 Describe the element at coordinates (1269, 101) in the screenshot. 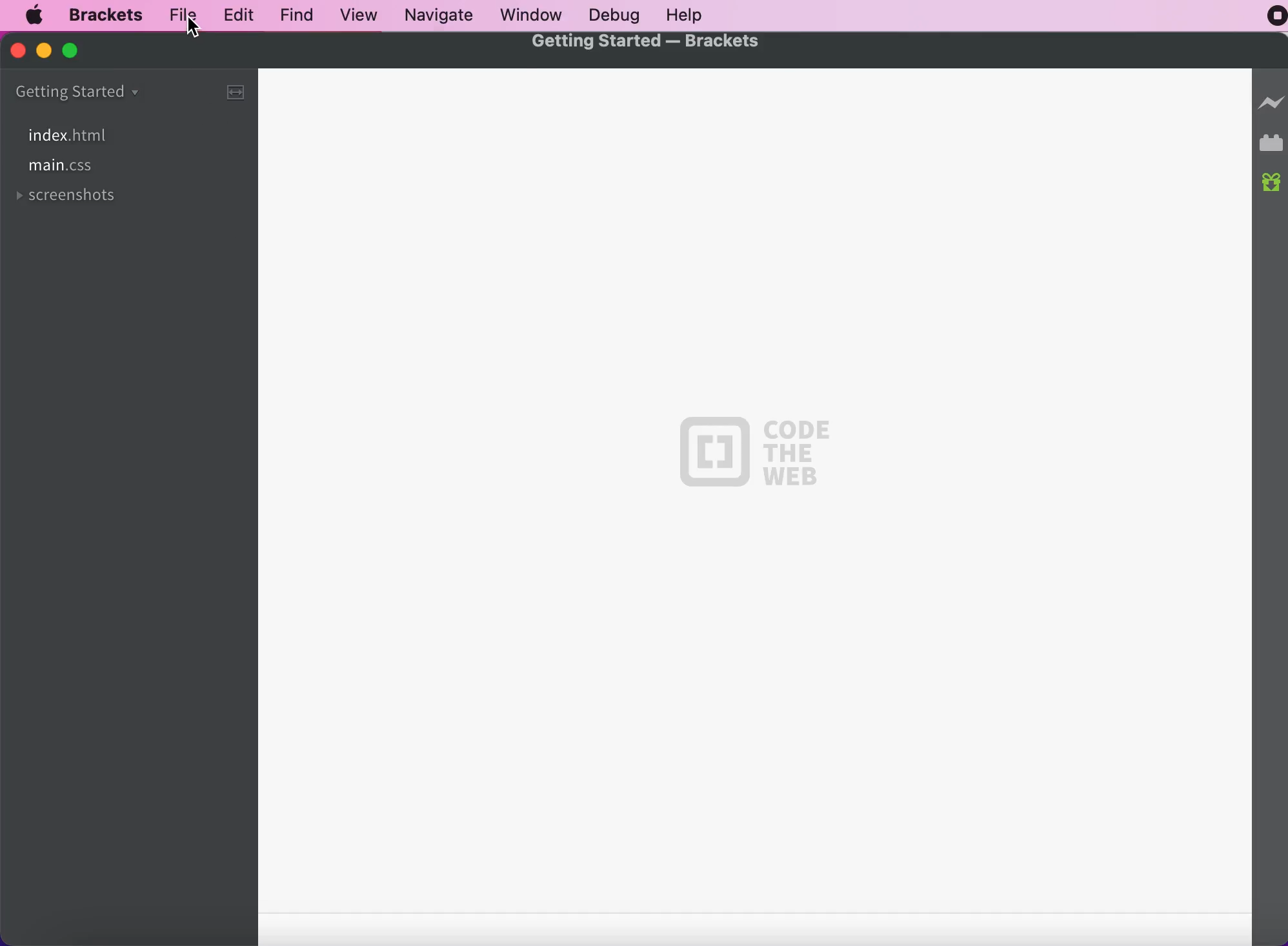

I see `live preview` at that location.